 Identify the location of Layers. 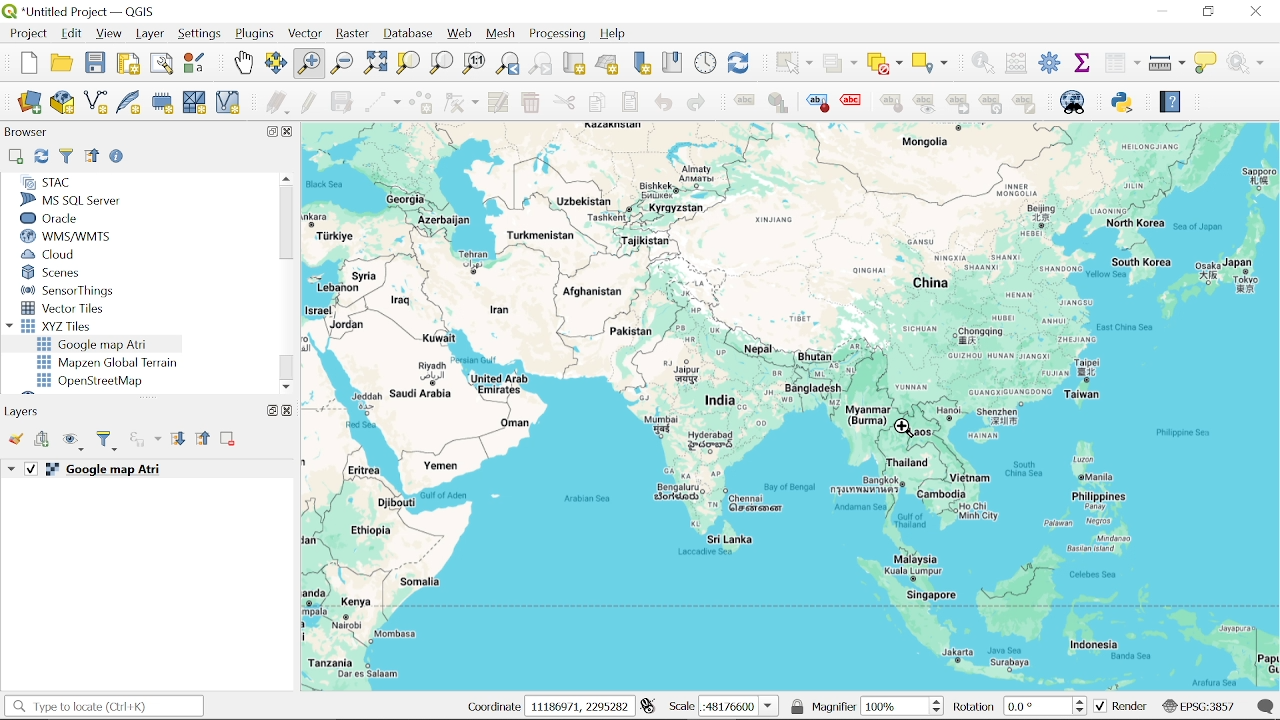
(26, 411).